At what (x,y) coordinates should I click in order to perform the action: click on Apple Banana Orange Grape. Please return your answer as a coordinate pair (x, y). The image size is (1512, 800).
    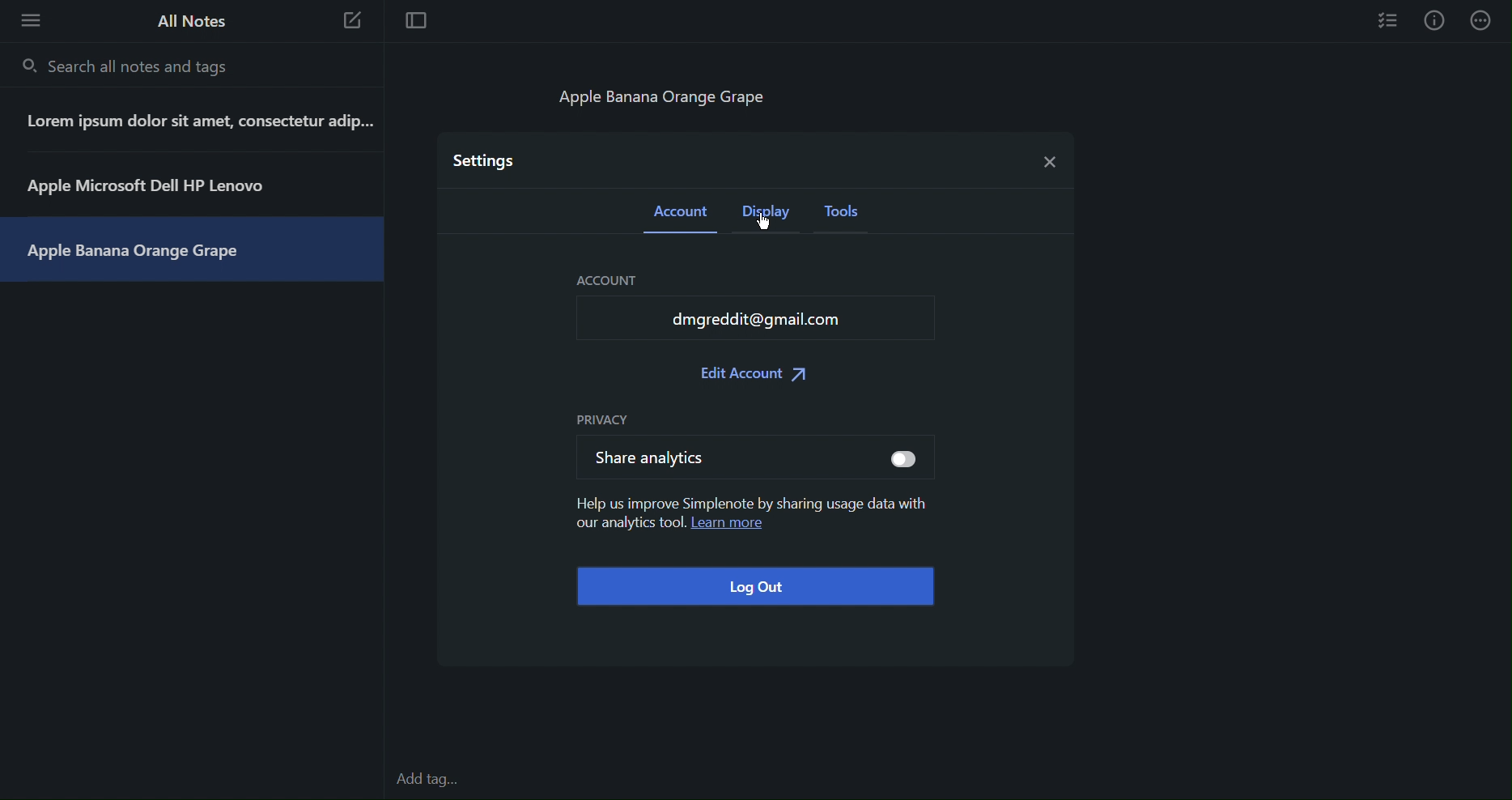
    Looking at the image, I should click on (670, 101).